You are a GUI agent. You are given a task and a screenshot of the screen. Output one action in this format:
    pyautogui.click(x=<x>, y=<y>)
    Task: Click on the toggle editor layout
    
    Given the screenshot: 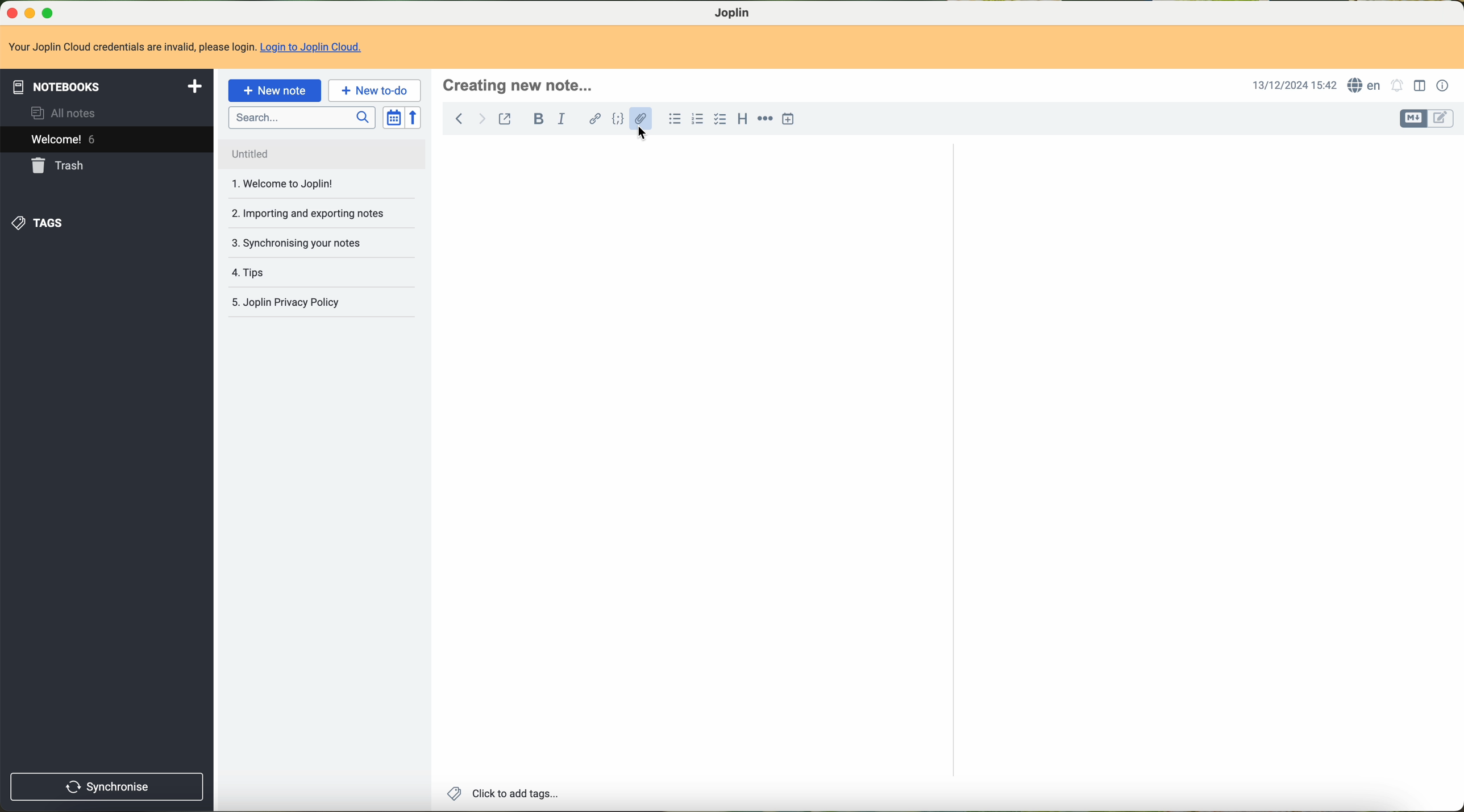 What is the action you would take?
    pyautogui.click(x=1421, y=86)
    